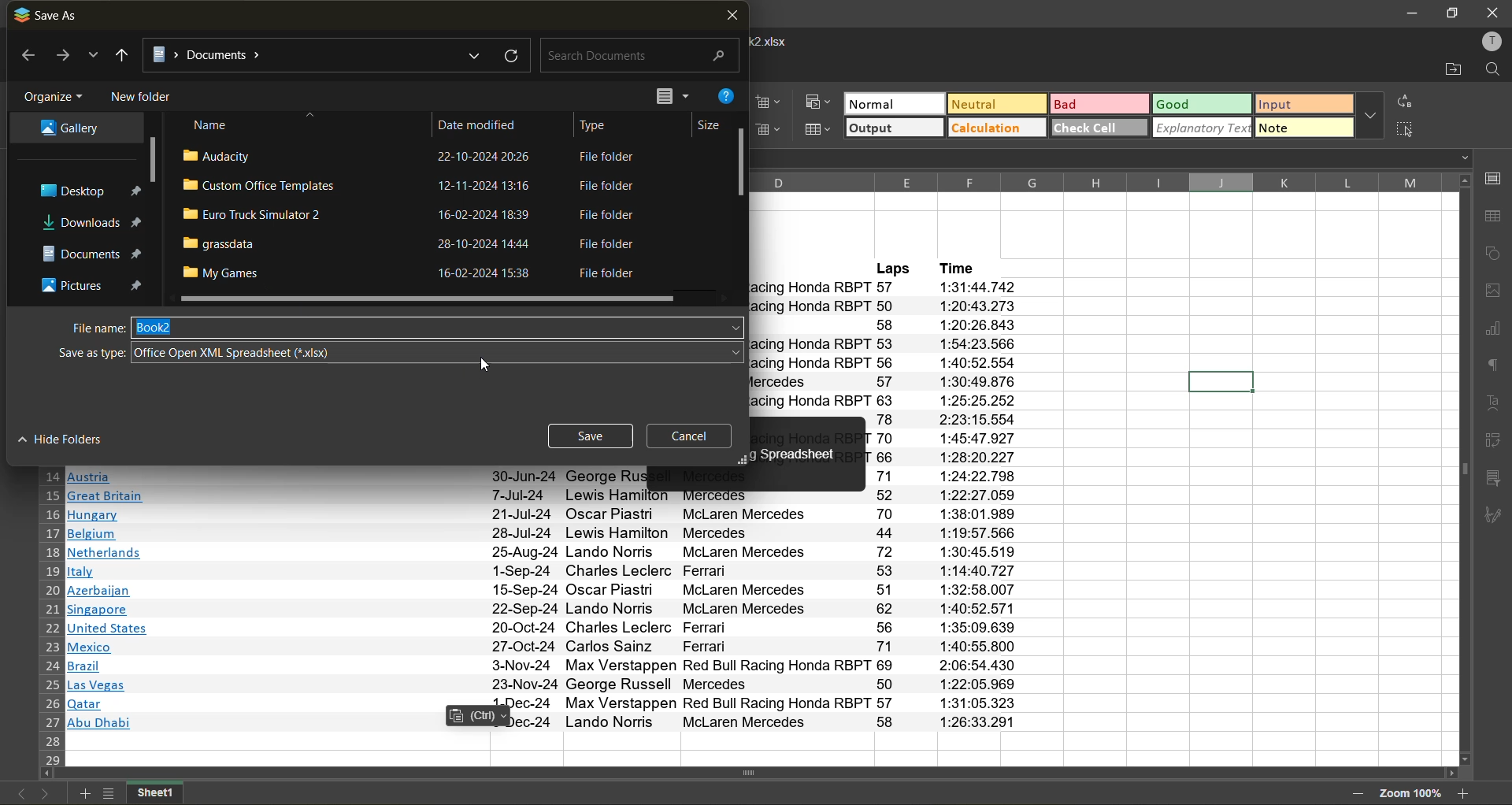  Describe the element at coordinates (85, 192) in the screenshot. I see `folder` at that location.